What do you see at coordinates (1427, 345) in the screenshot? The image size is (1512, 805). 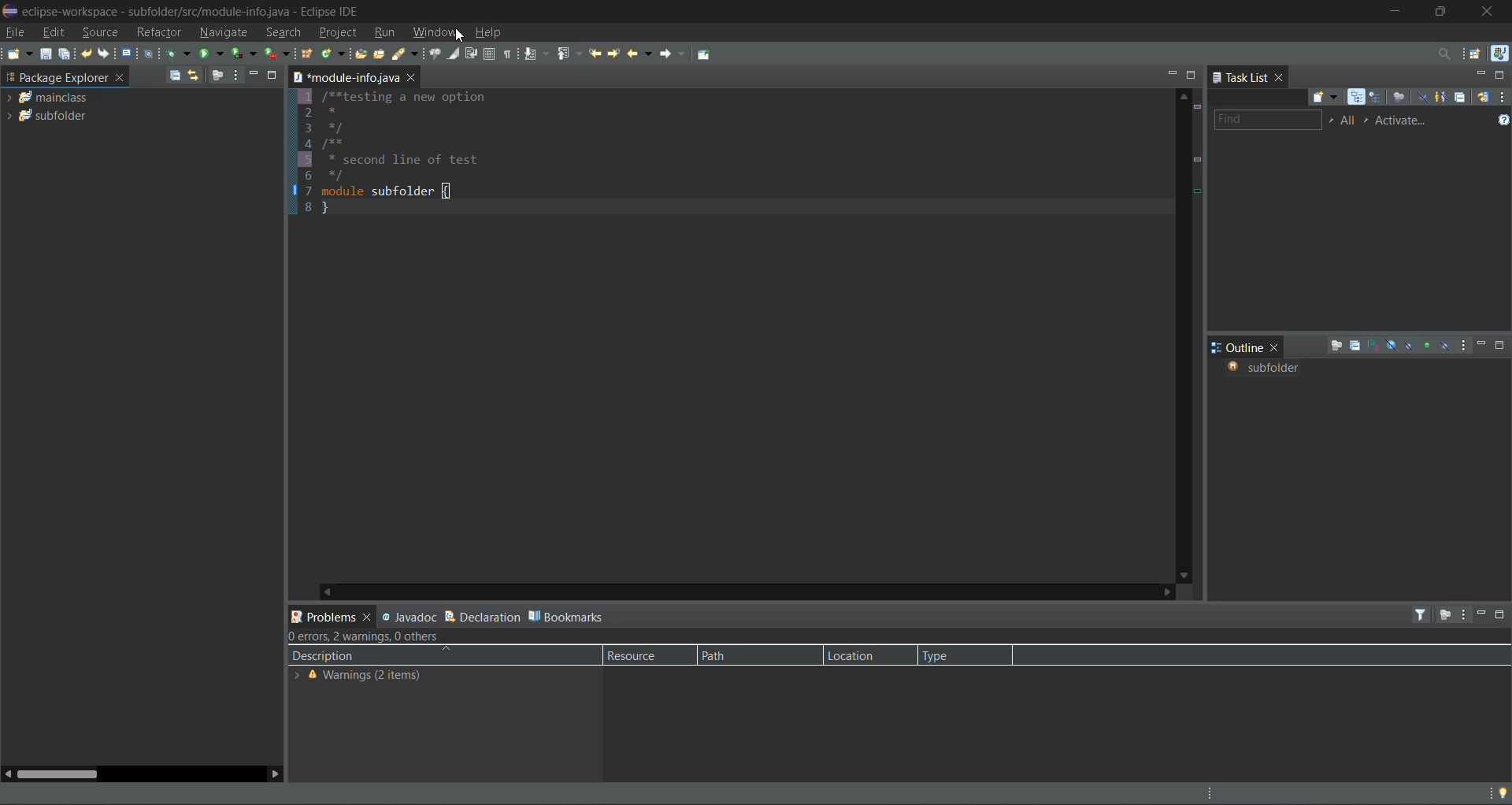 I see `hide non public members` at bounding box center [1427, 345].